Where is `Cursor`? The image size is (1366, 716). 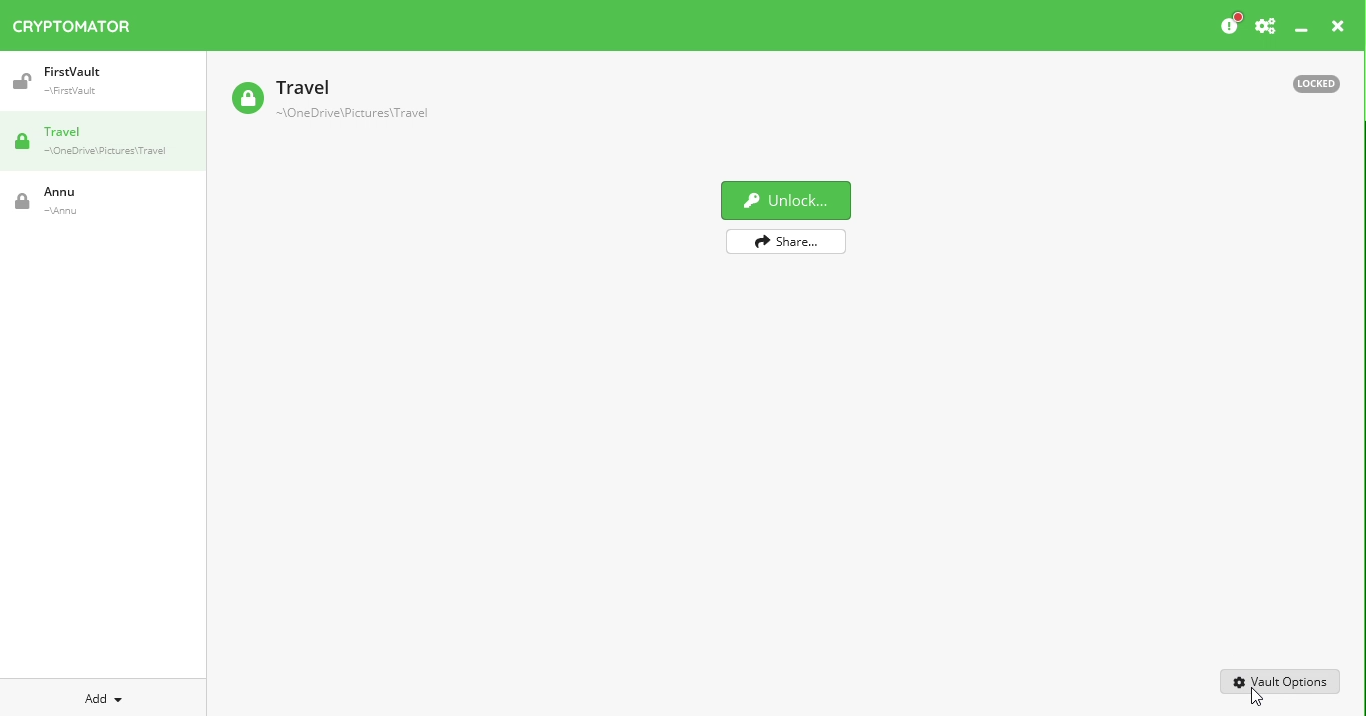
Cursor is located at coordinates (1259, 700).